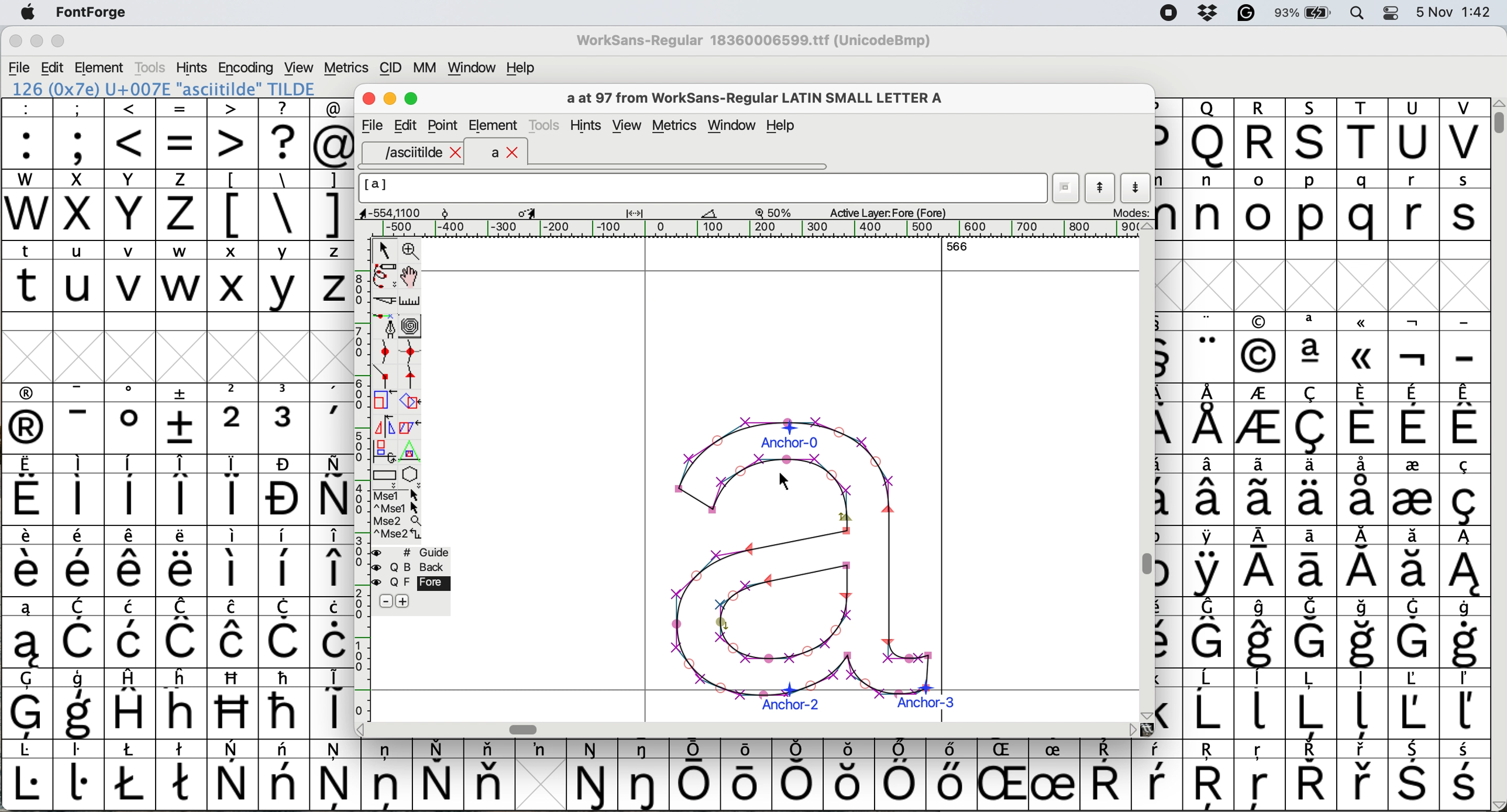 This screenshot has height=812, width=1507. What do you see at coordinates (183, 418) in the screenshot?
I see `symbol` at bounding box center [183, 418].